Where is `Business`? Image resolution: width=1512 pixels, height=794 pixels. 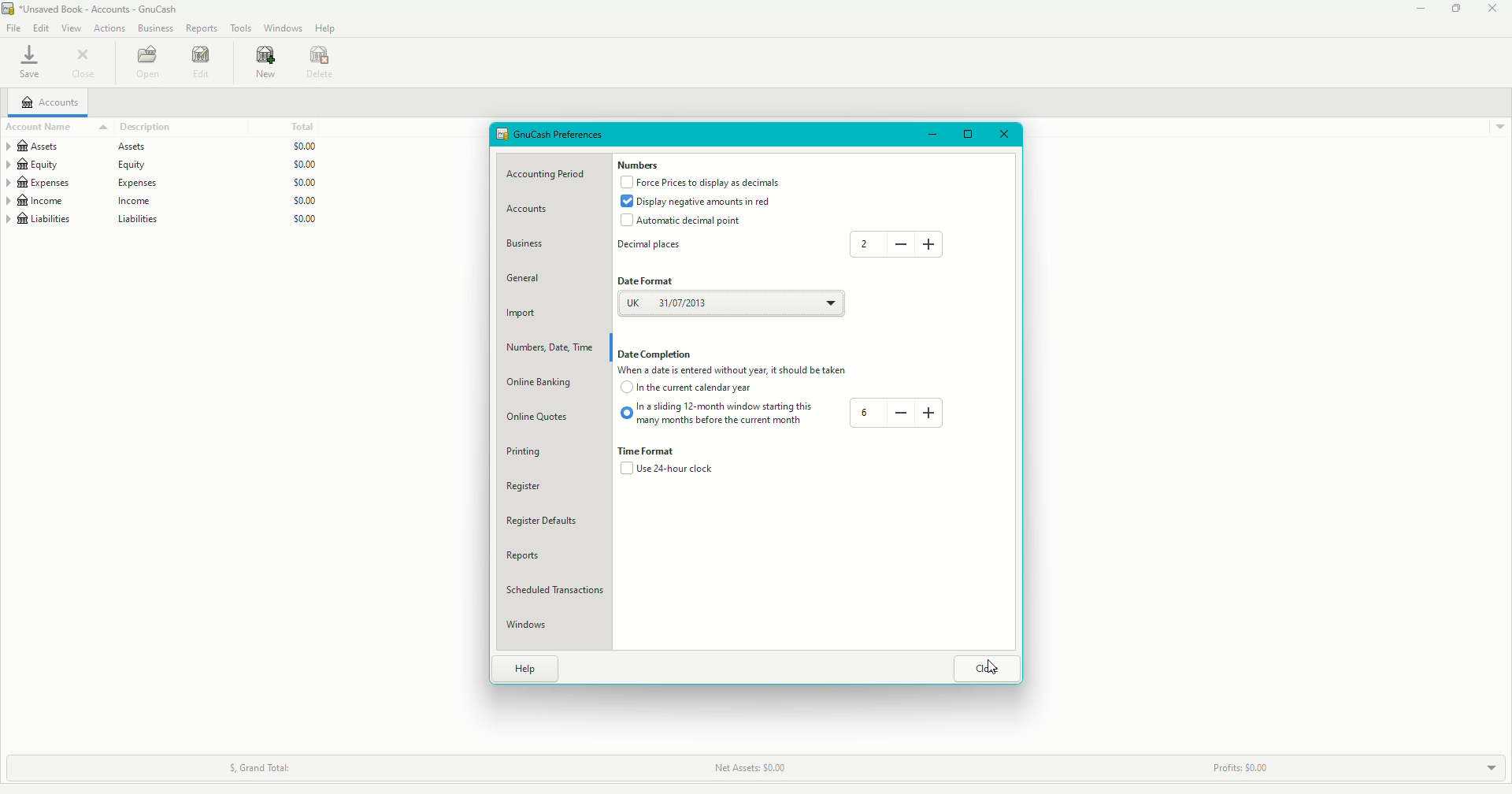
Business is located at coordinates (530, 243).